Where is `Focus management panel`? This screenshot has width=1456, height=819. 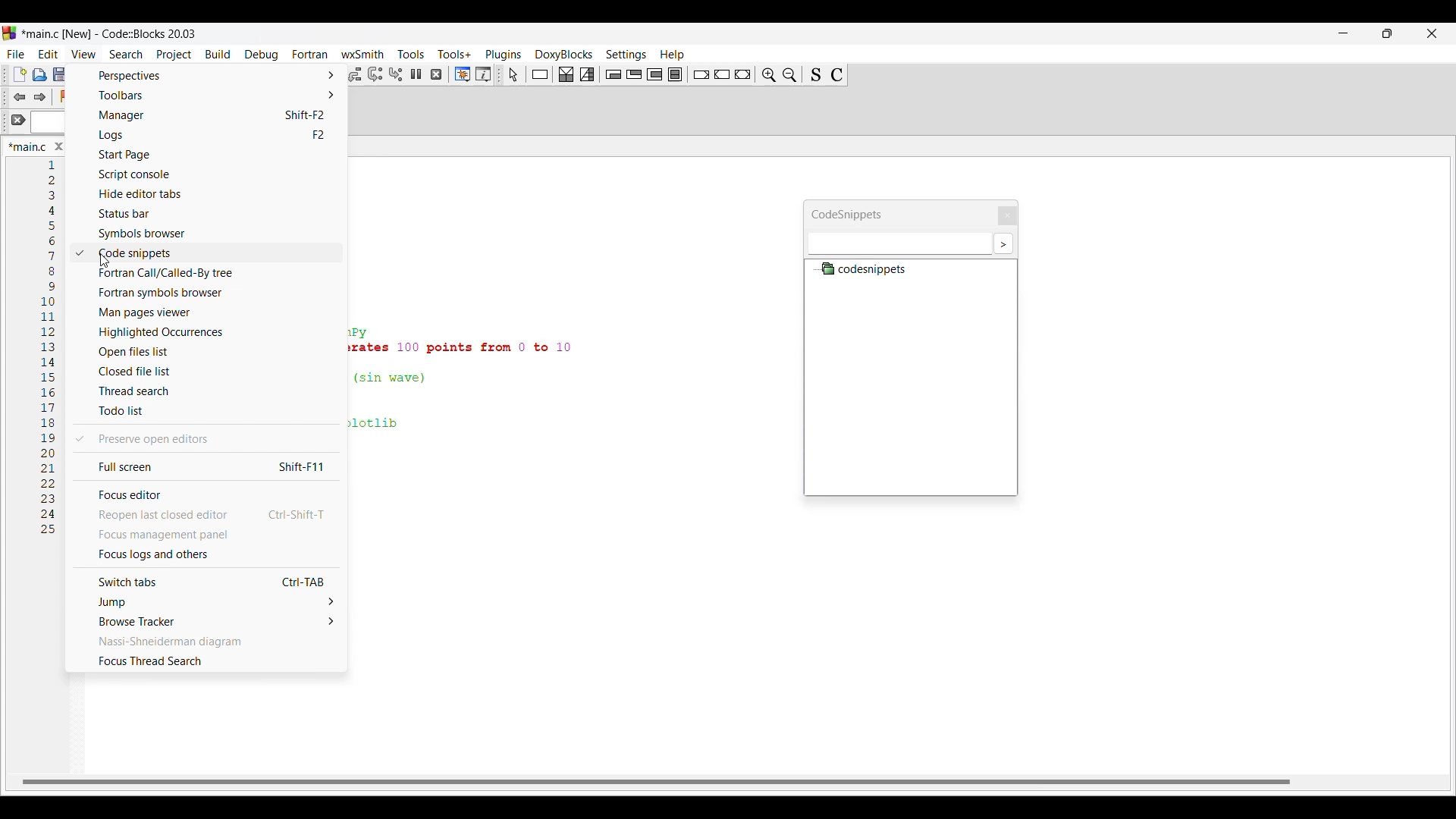
Focus management panel is located at coordinates (208, 535).